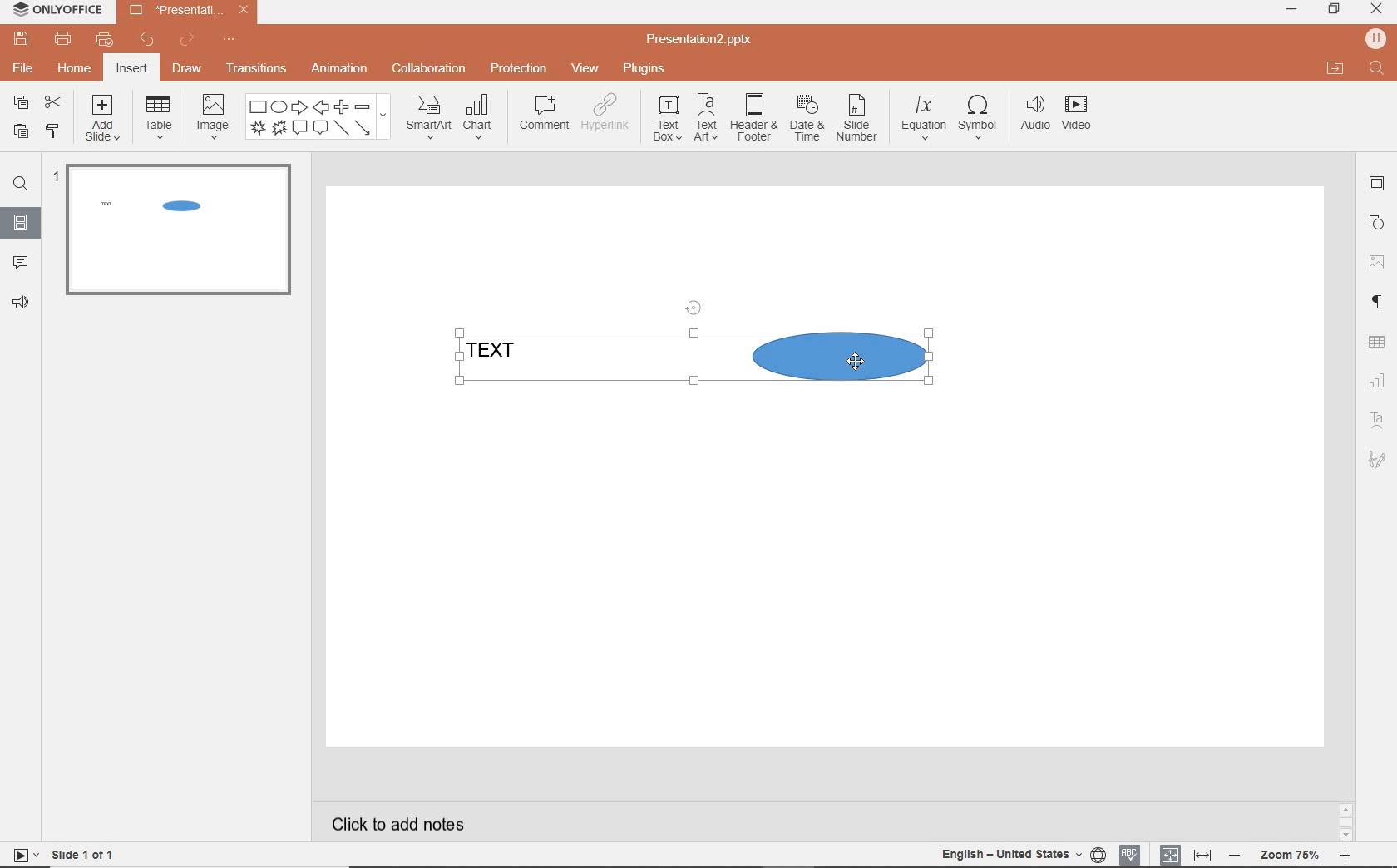 This screenshot has width=1397, height=868. Describe the element at coordinates (1187, 853) in the screenshot. I see `FIT TO SLIDE / FIT TO WIDTH` at that location.